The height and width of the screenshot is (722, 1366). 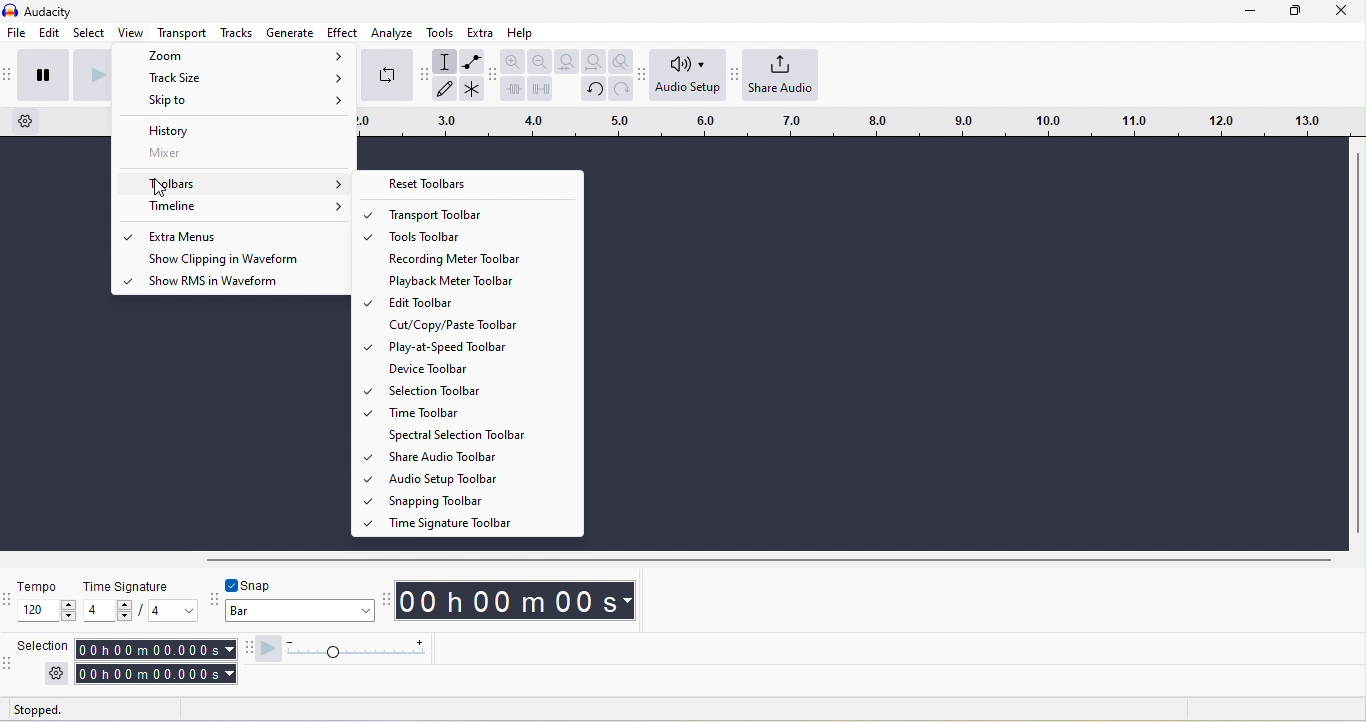 I want to click on fit selection to width, so click(x=567, y=61).